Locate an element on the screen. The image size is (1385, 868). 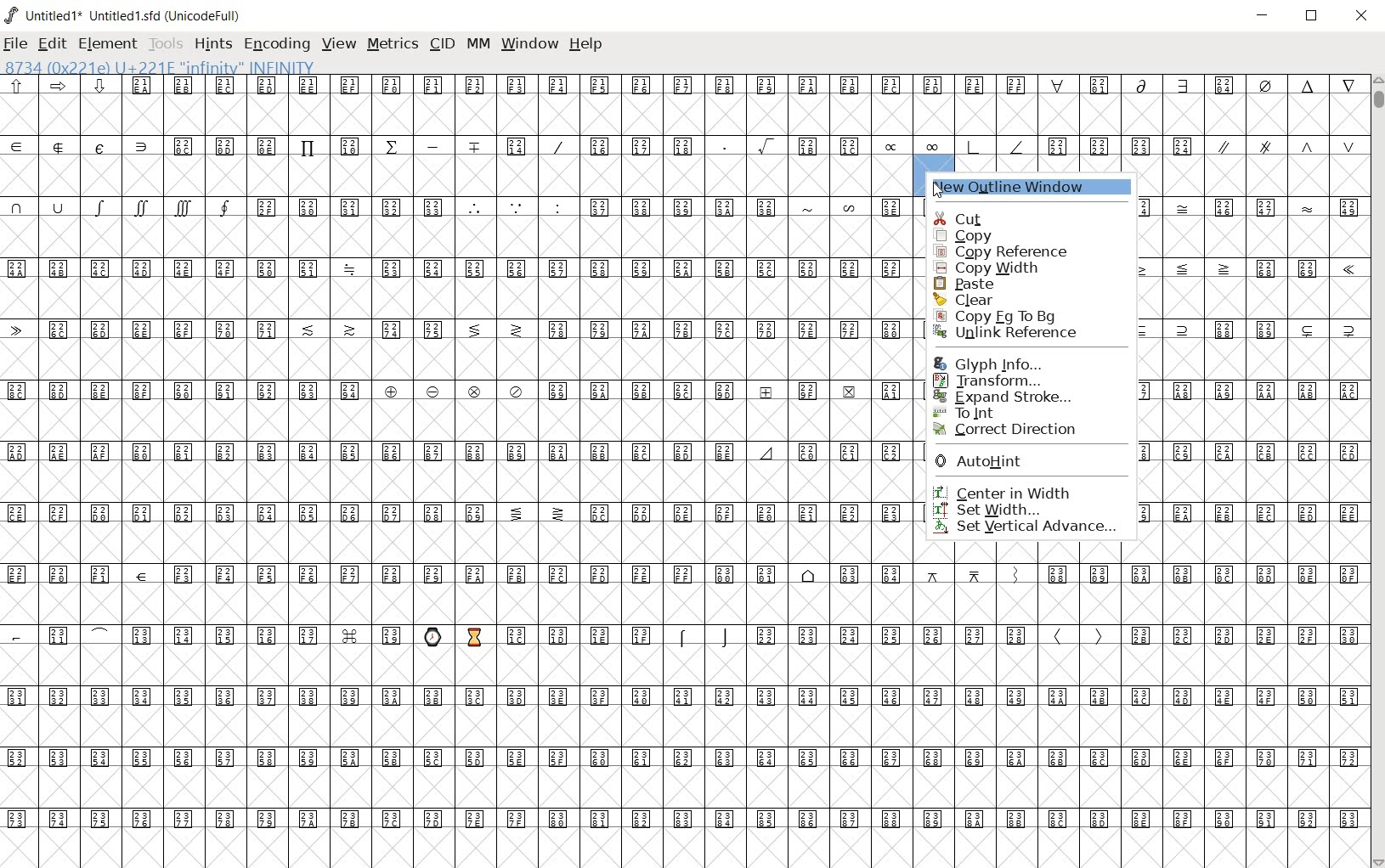
8734 (0x221e) U+221e "infinity" INFINITY is located at coordinates (161, 66).